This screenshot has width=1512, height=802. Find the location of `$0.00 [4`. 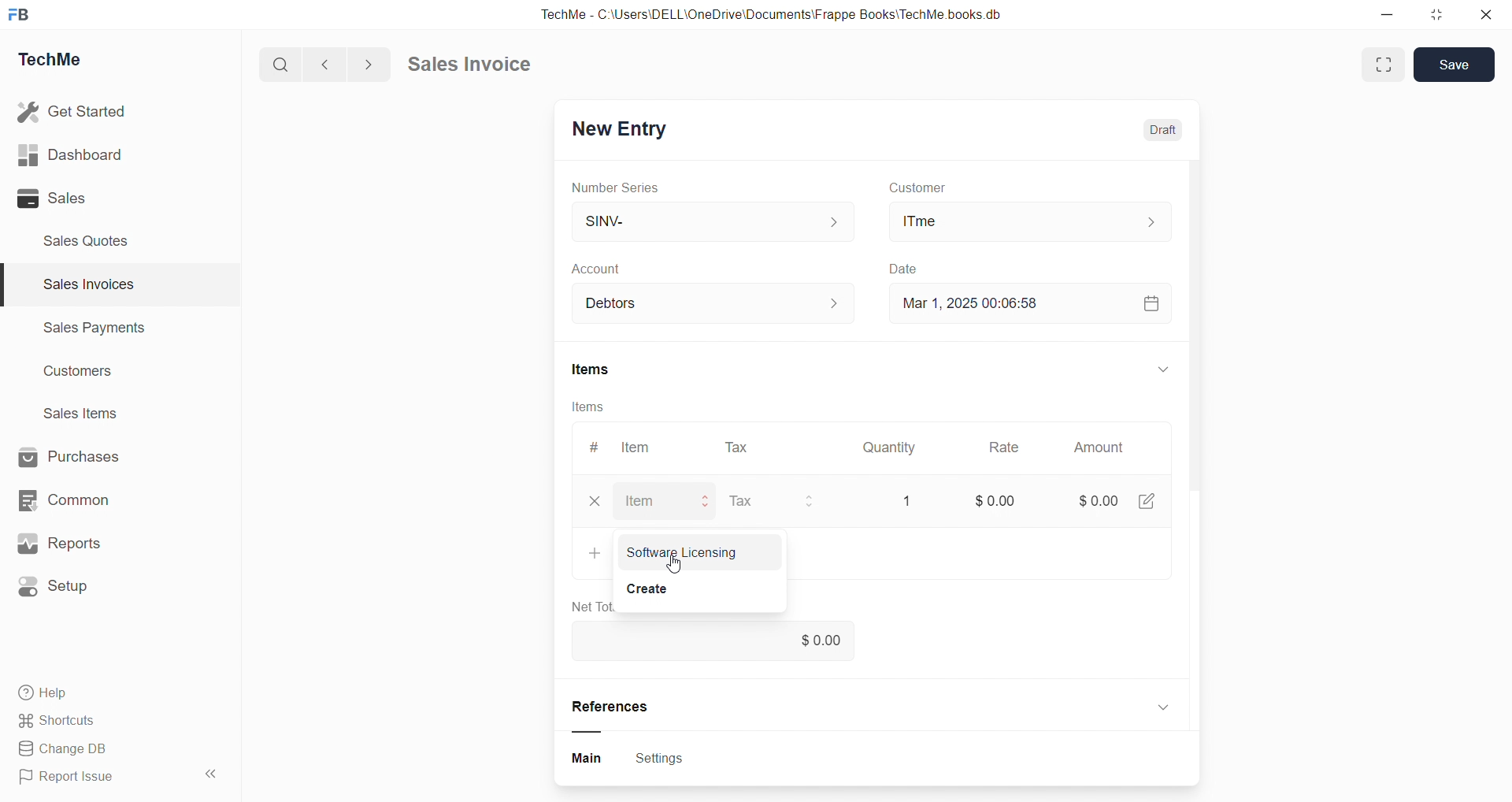

$0.00 [4 is located at coordinates (1109, 496).